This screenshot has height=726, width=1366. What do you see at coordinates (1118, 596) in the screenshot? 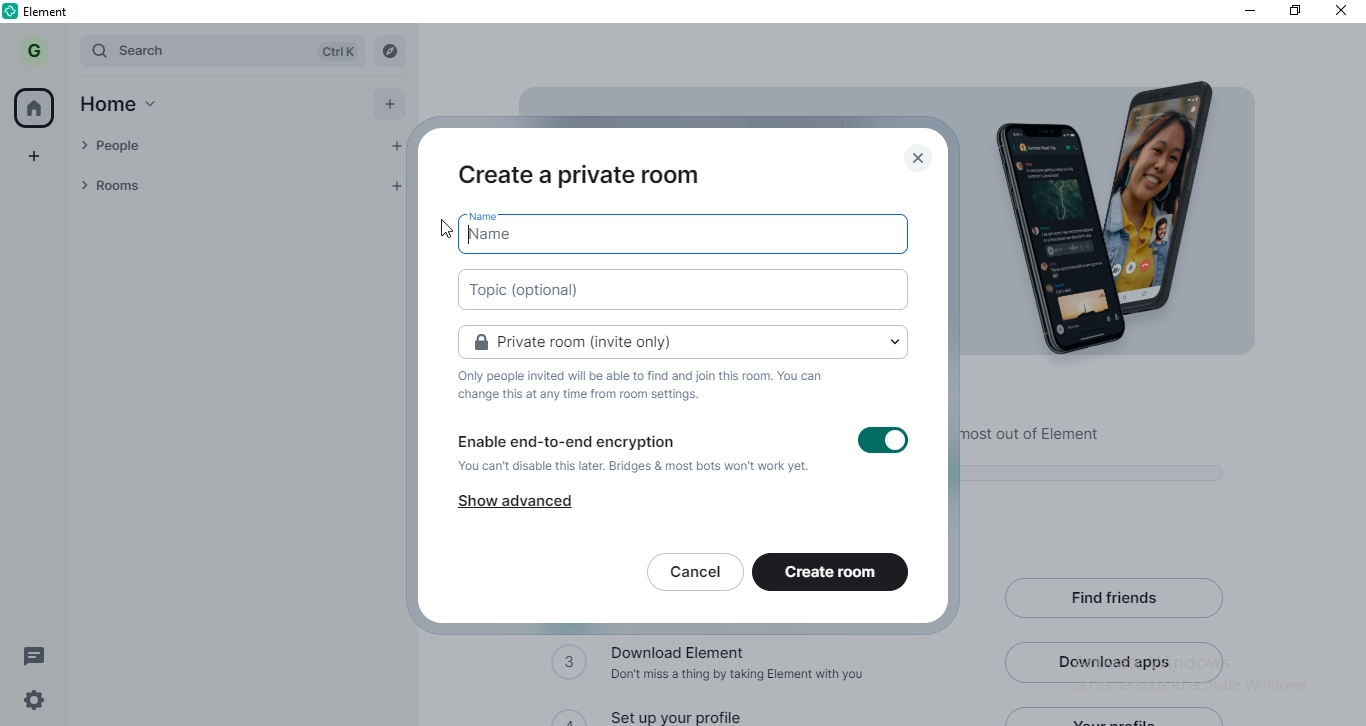
I see `find friends` at bounding box center [1118, 596].